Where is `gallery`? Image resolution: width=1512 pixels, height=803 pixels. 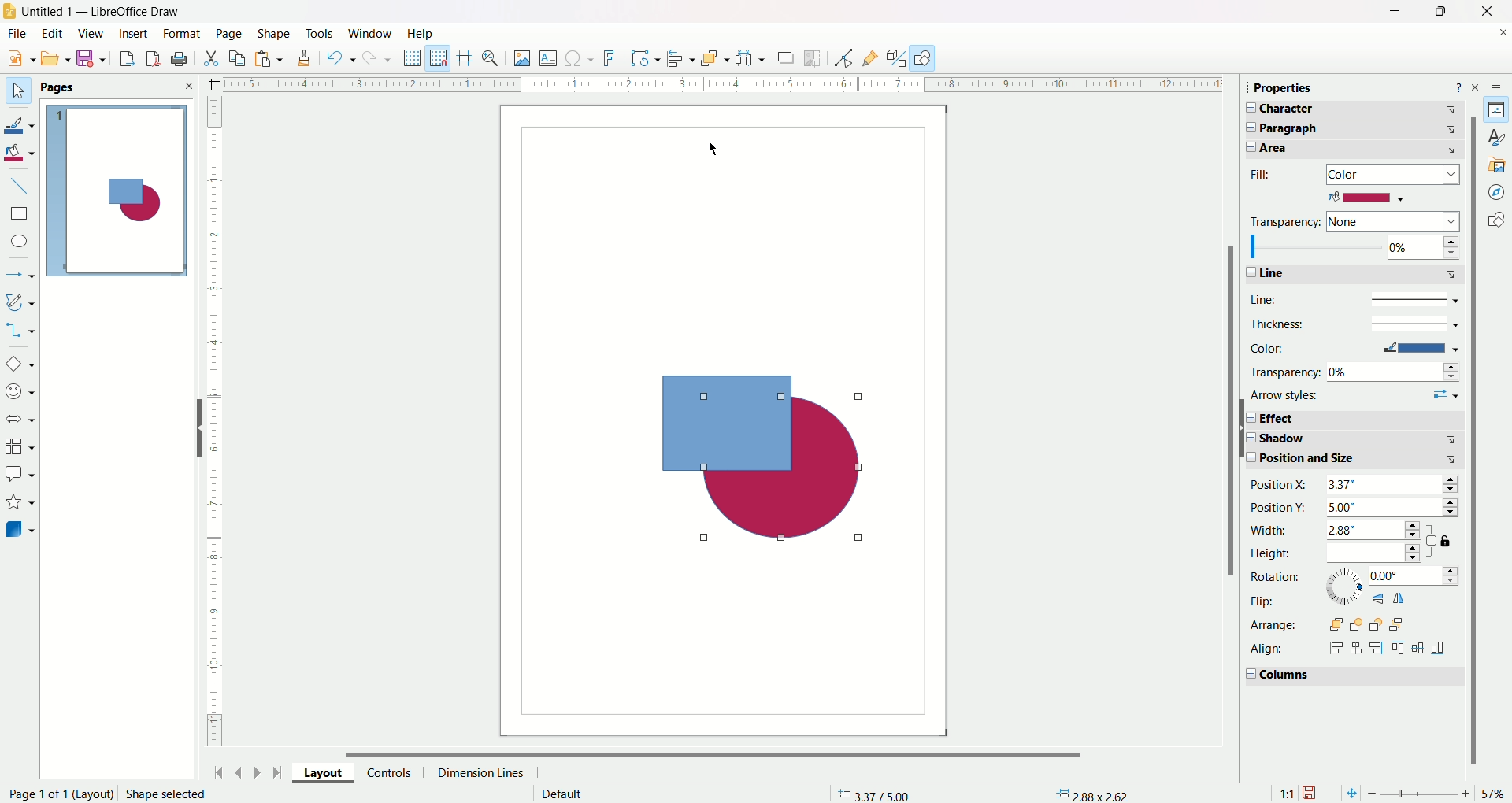
gallery is located at coordinates (1495, 163).